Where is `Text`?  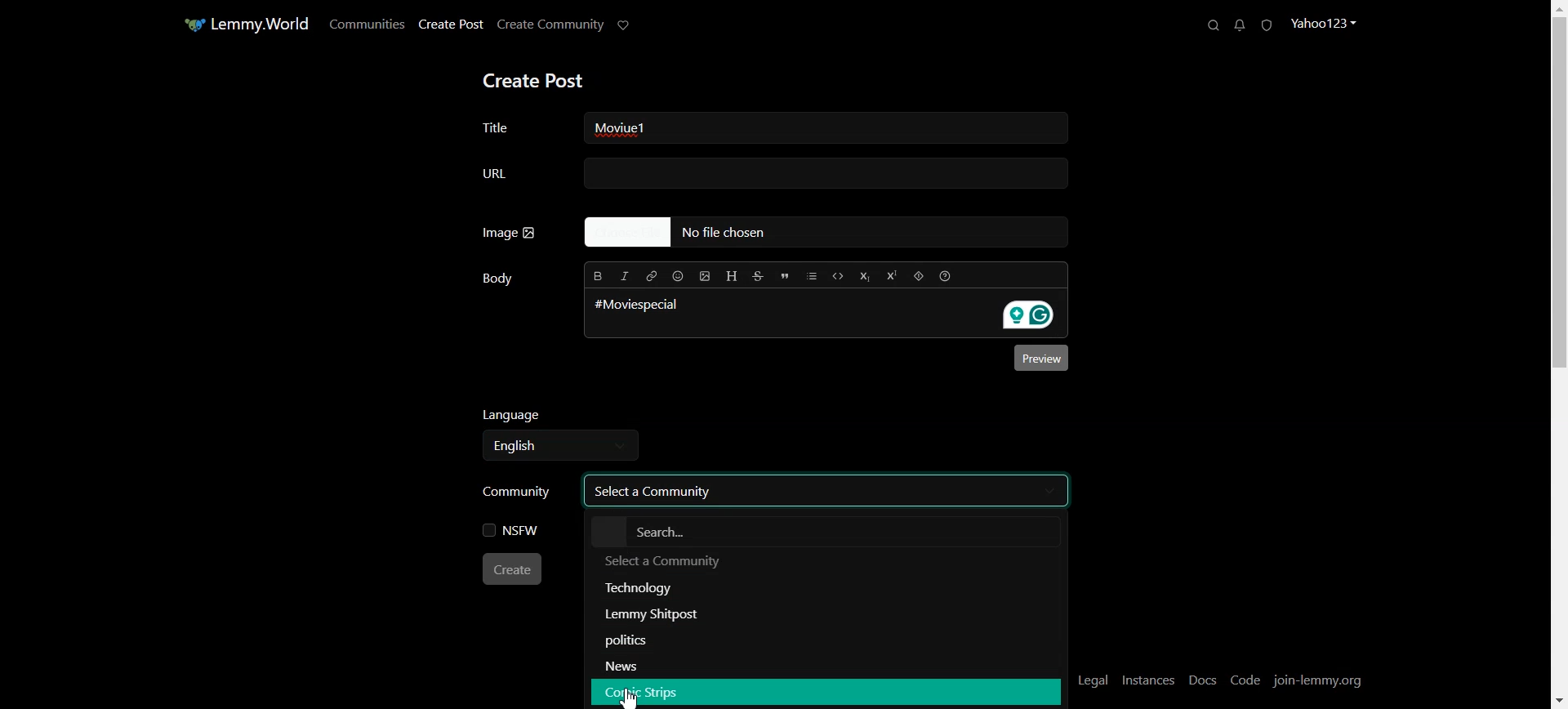 Text is located at coordinates (669, 561).